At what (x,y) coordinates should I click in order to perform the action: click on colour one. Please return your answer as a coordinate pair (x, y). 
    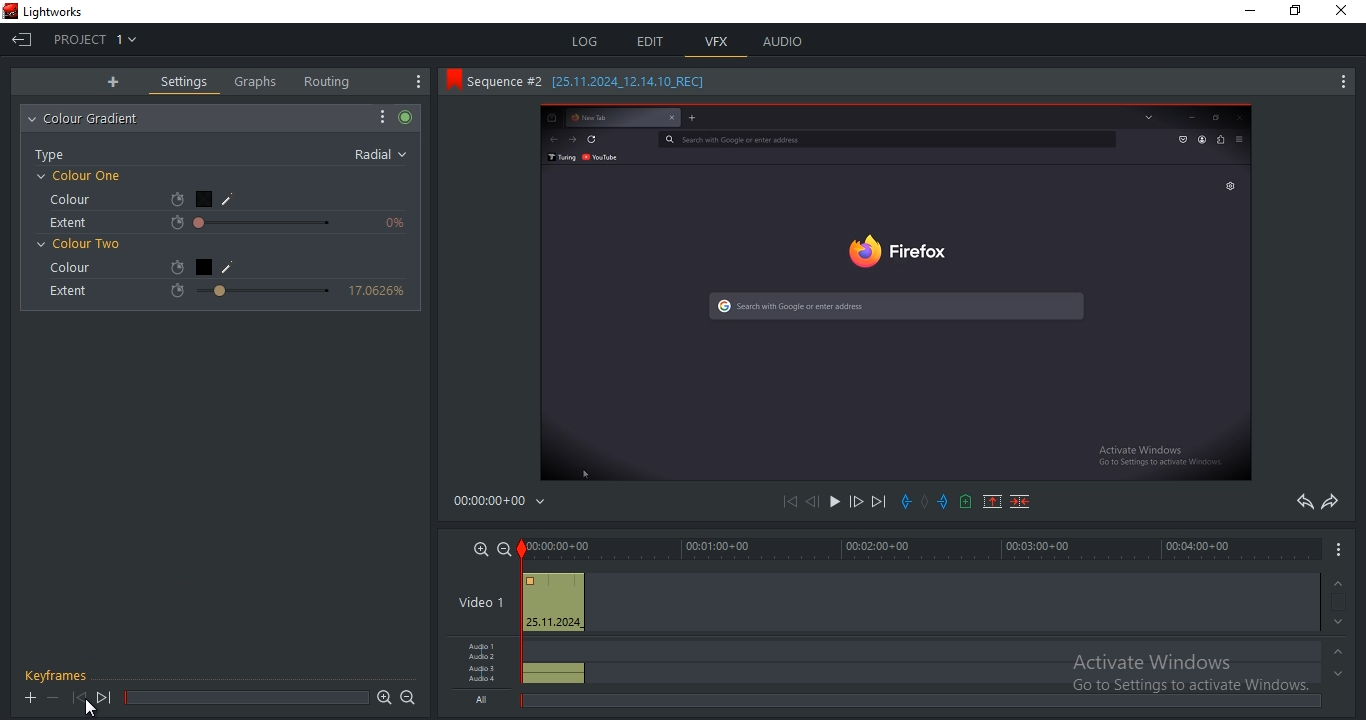
    Looking at the image, I should click on (81, 176).